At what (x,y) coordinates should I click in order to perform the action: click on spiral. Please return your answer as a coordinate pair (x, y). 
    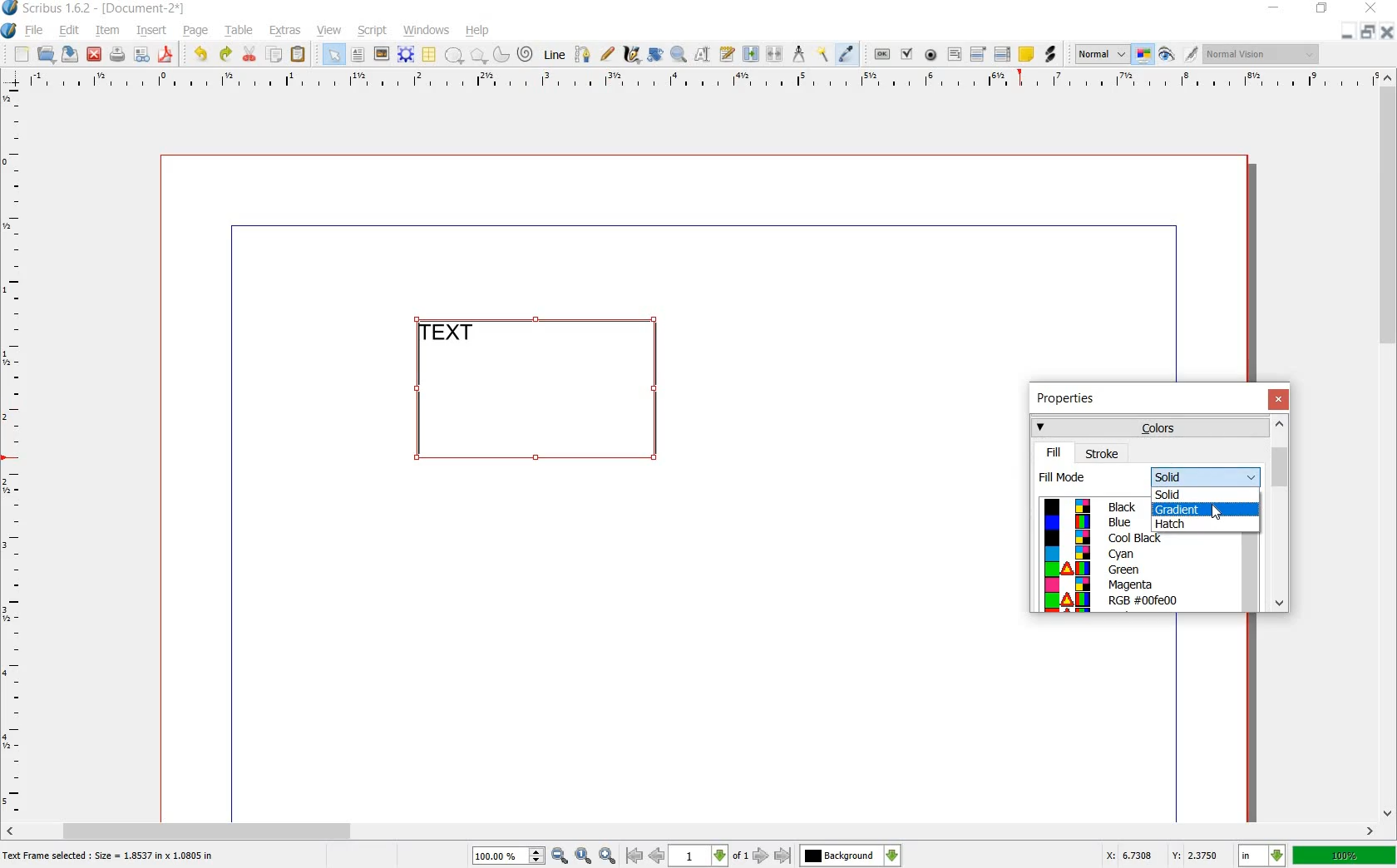
    Looking at the image, I should click on (526, 53).